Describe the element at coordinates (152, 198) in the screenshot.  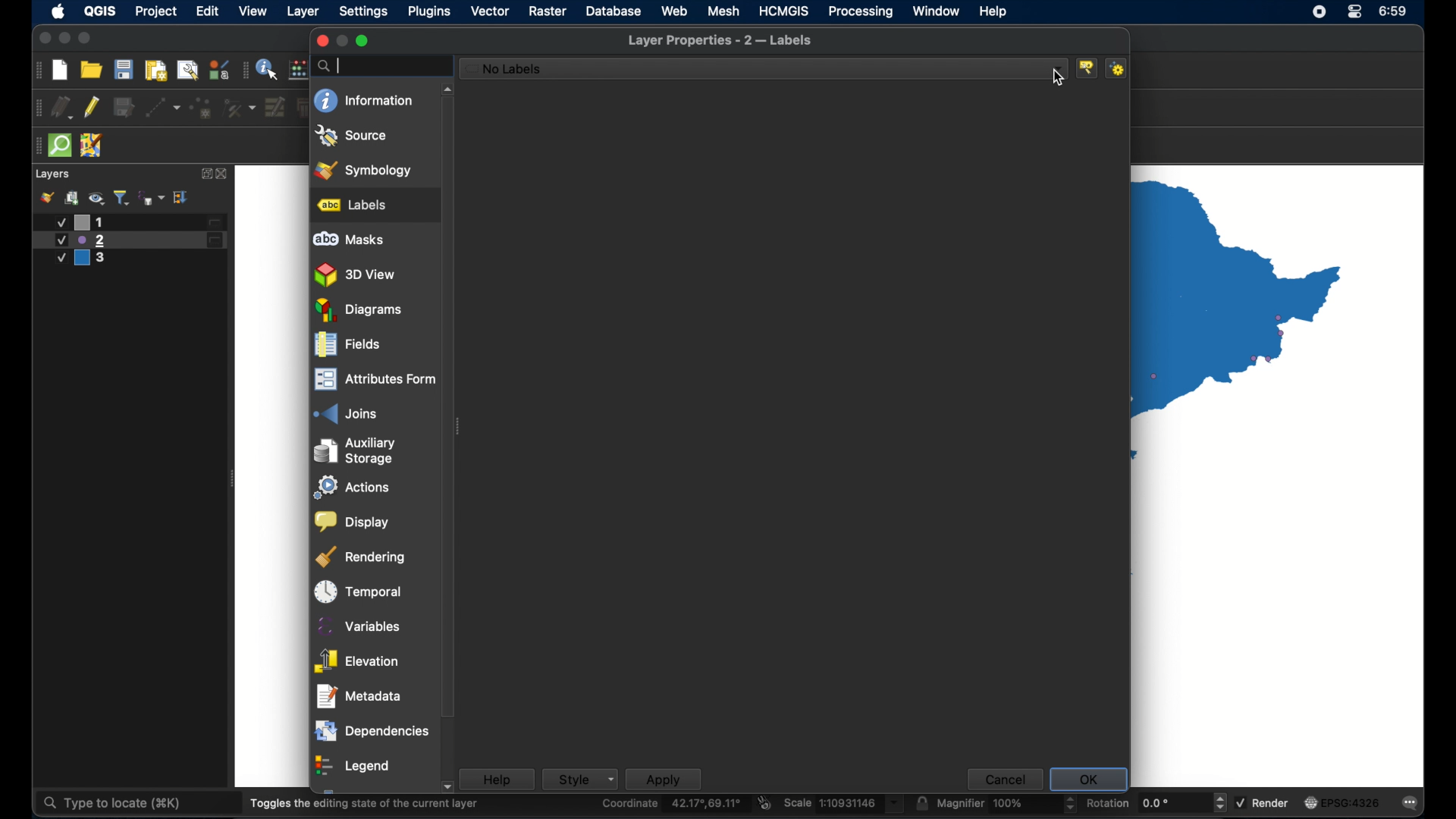
I see `filter legend by expression` at that location.